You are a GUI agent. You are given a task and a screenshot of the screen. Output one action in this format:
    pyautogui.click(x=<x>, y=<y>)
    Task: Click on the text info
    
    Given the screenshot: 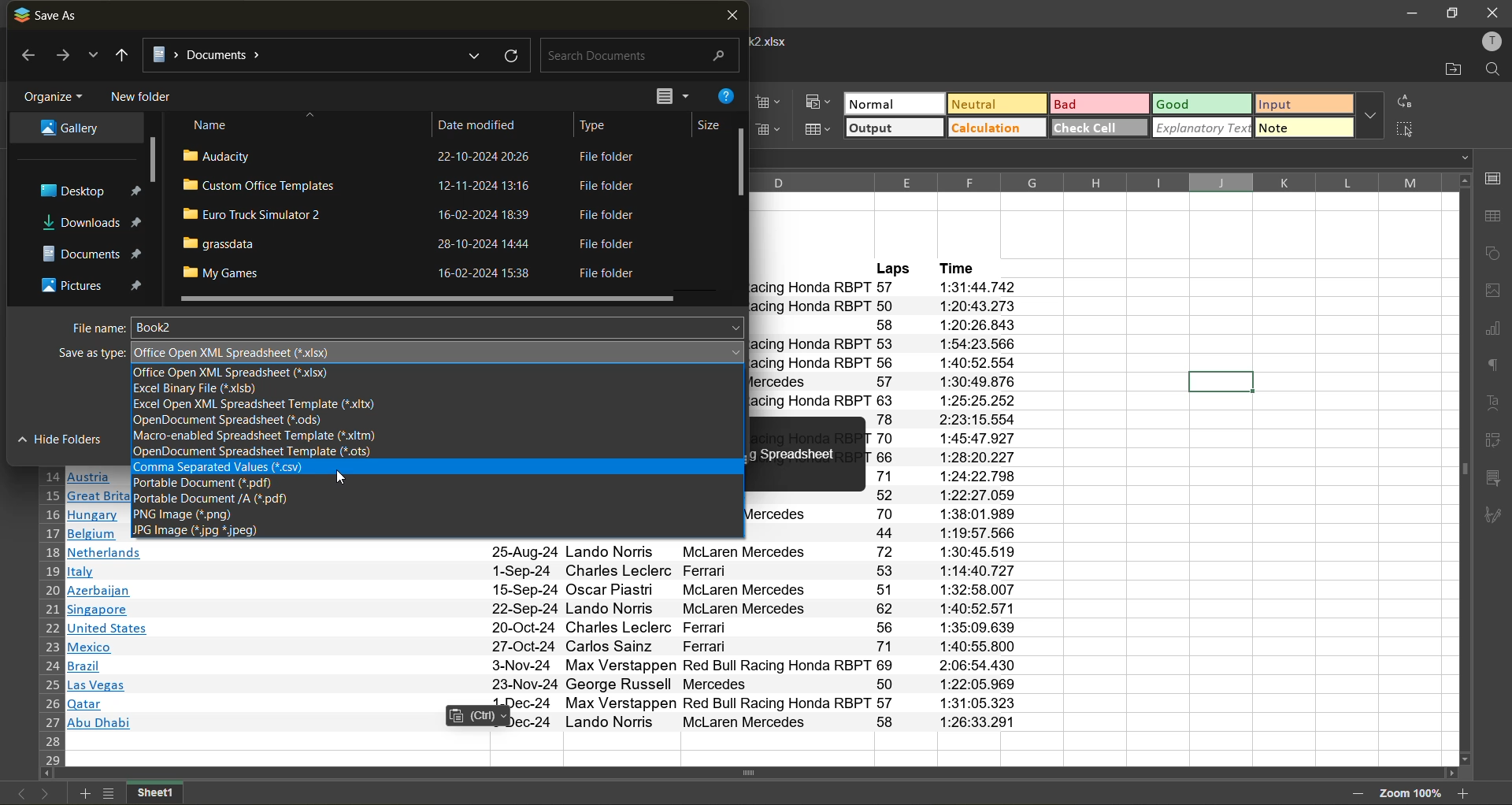 What is the action you would take?
    pyautogui.click(x=547, y=704)
    